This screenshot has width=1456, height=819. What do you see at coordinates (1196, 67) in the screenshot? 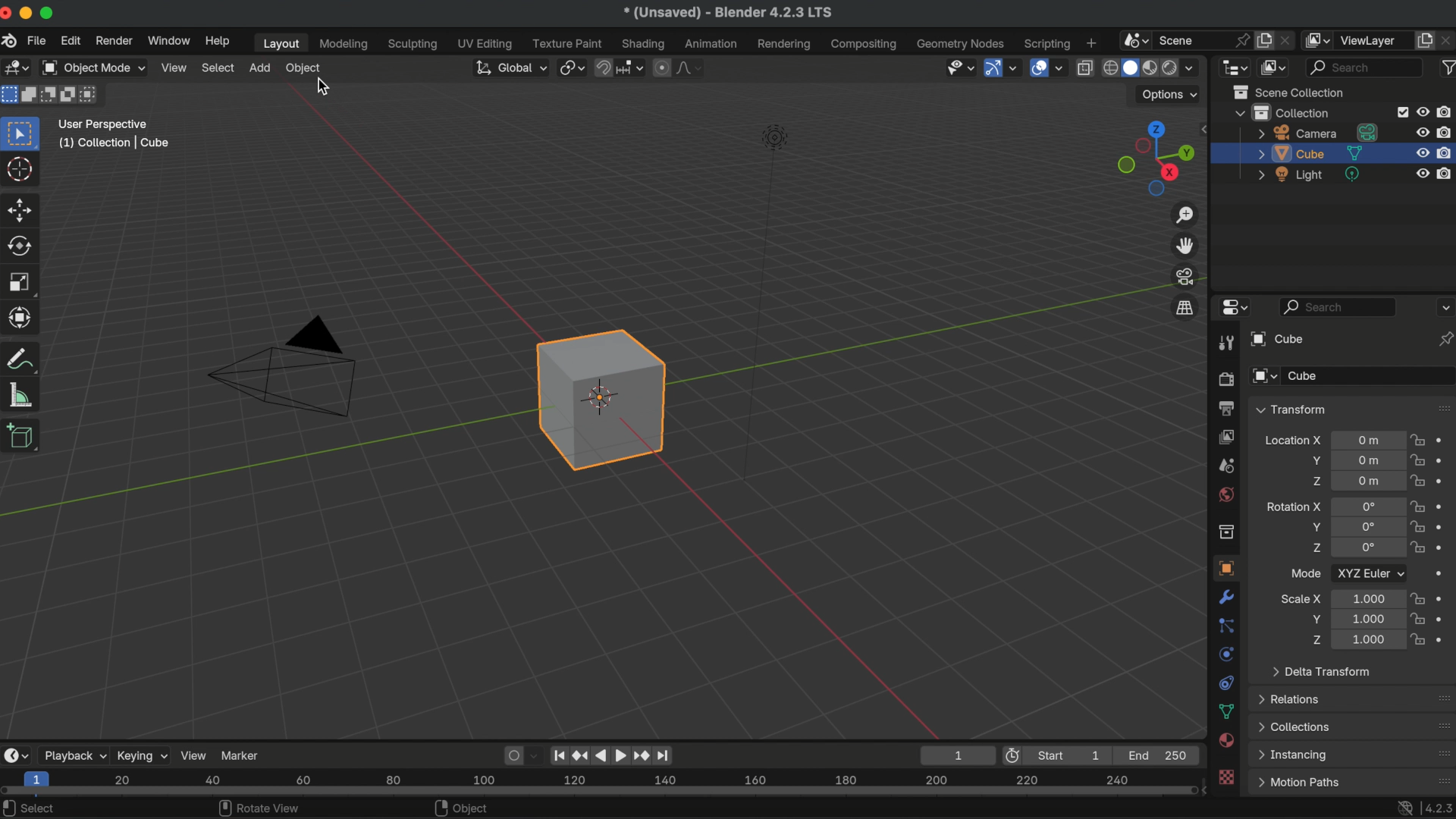
I see `shading` at bounding box center [1196, 67].